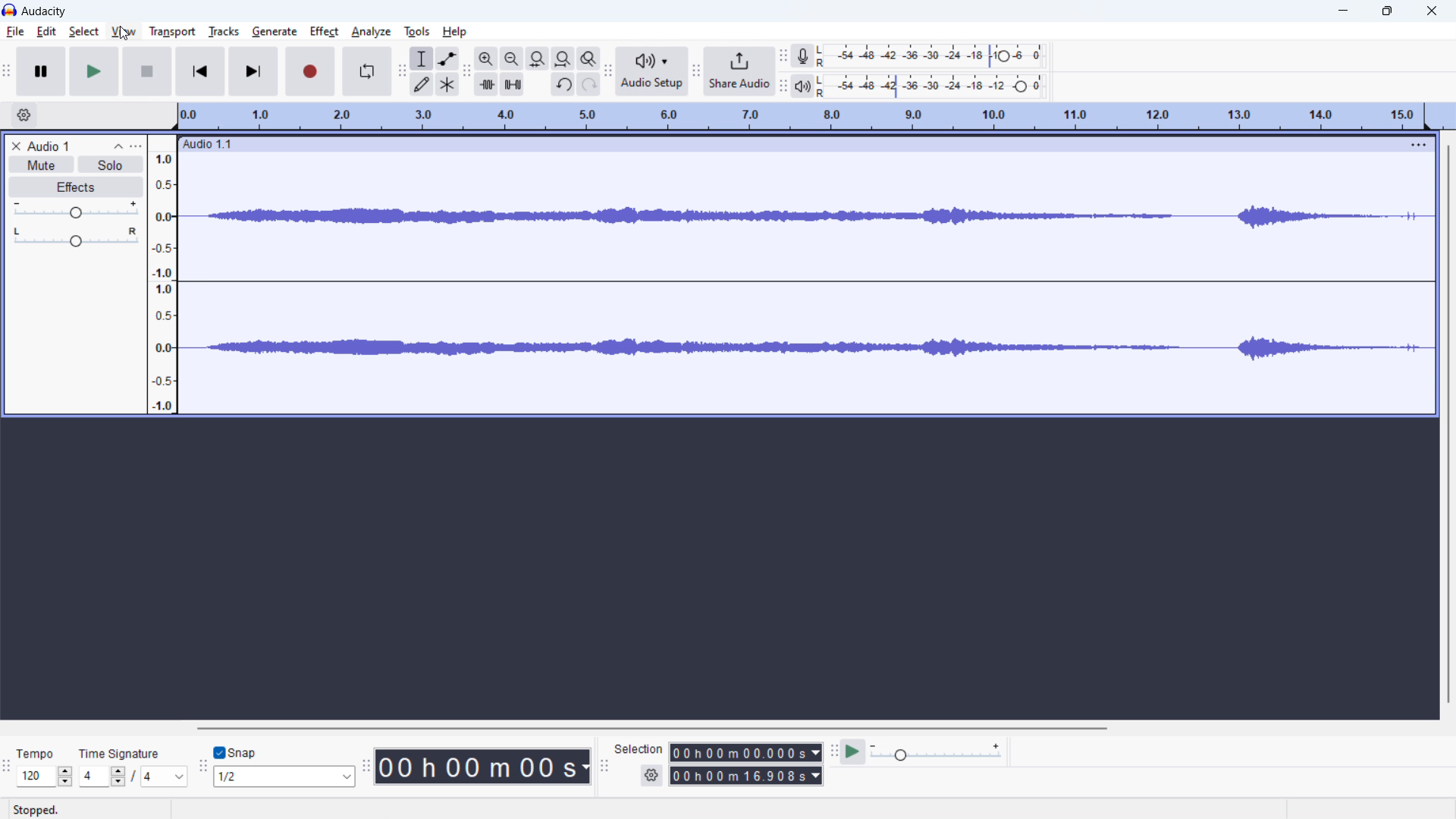  What do you see at coordinates (77, 187) in the screenshot?
I see `effects` at bounding box center [77, 187].